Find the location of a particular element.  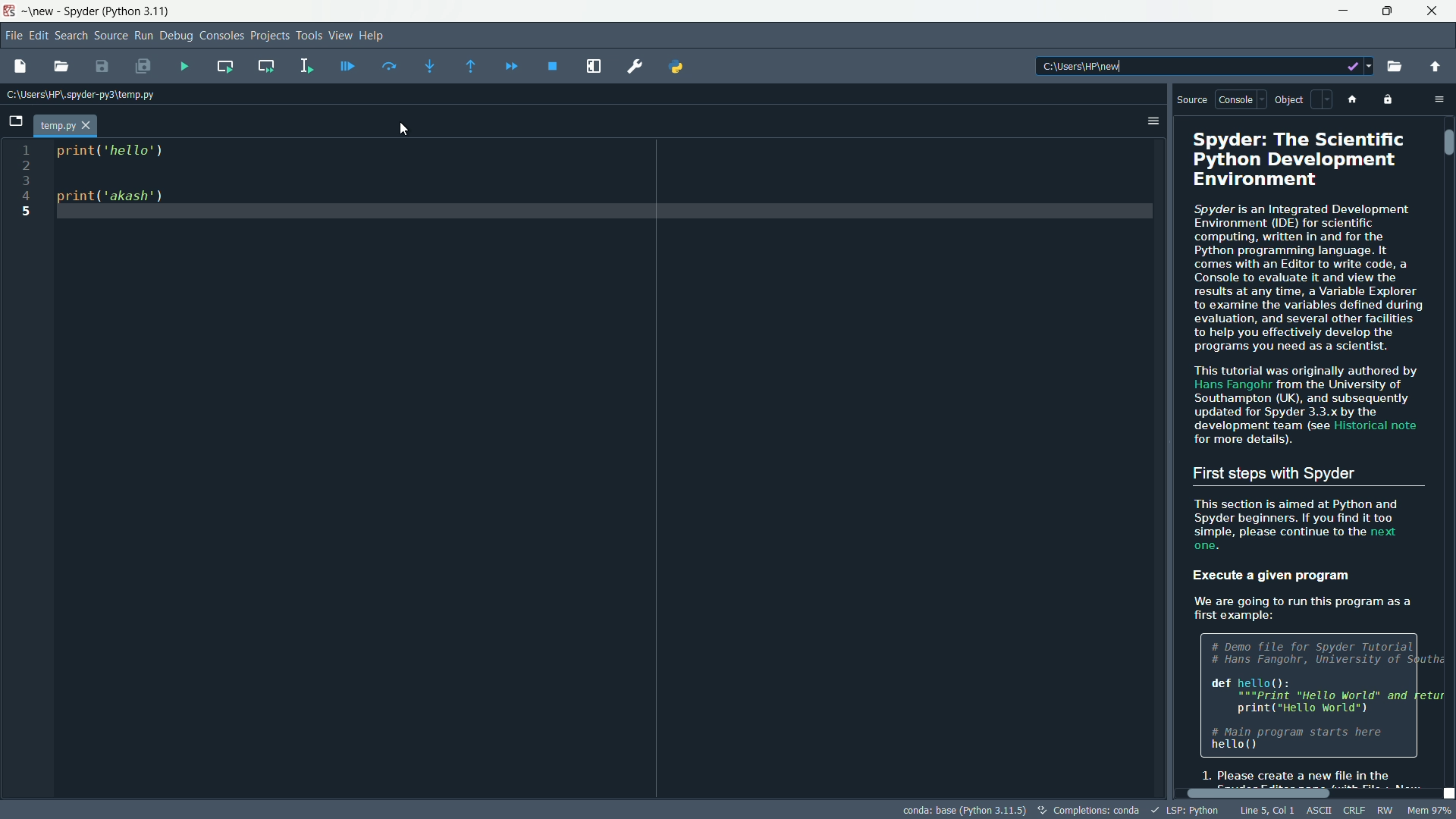

debug menu is located at coordinates (176, 36).